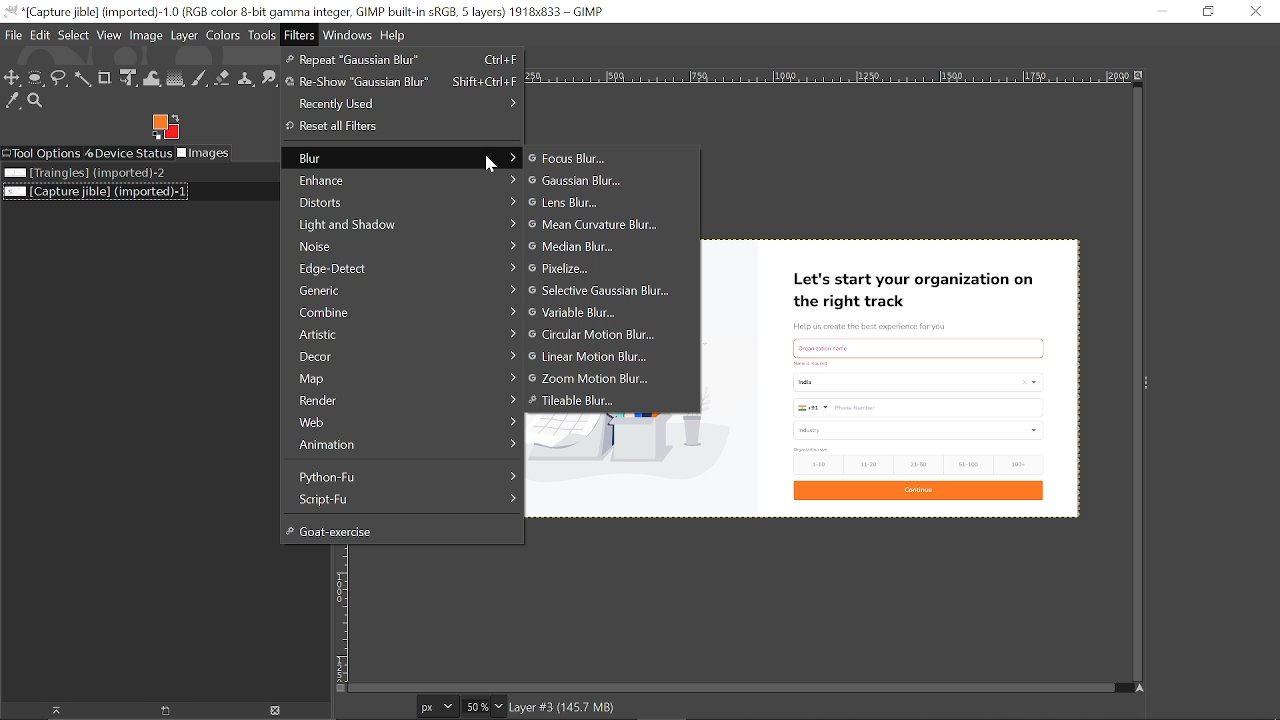  I want to click on Median Blur, so click(583, 247).